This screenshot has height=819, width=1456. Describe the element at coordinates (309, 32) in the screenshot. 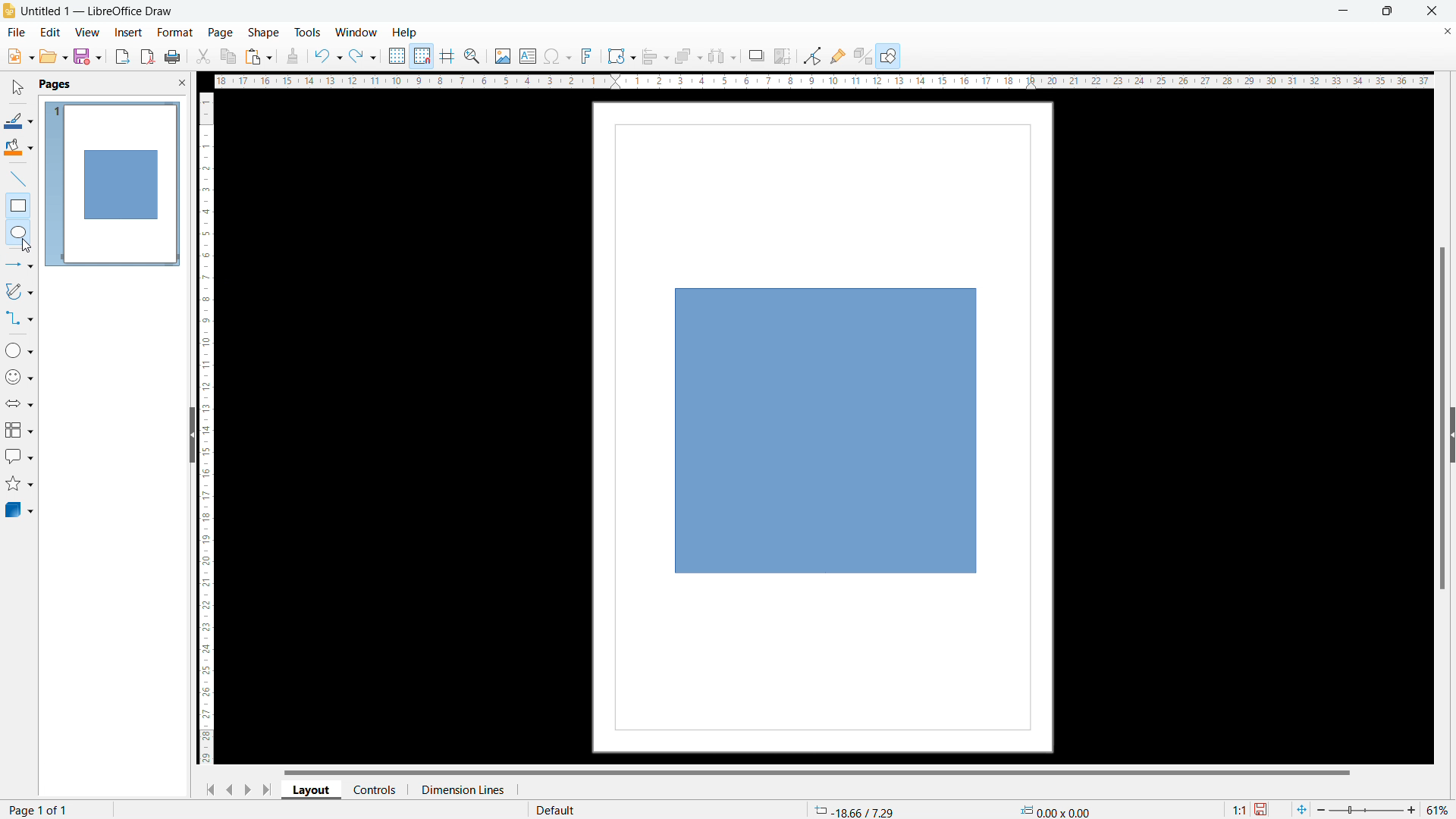

I see `tools` at that location.